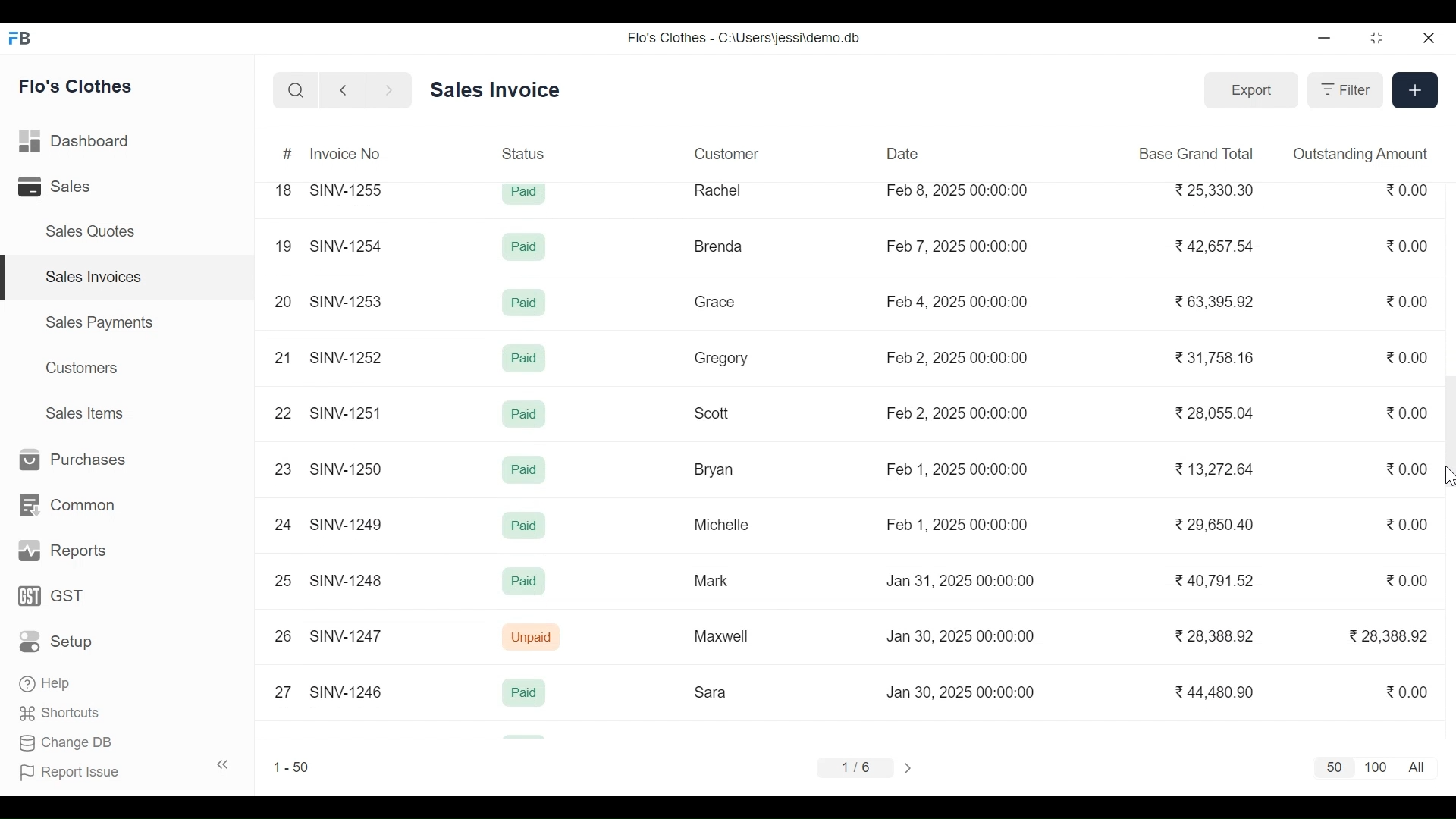 The height and width of the screenshot is (819, 1456). What do you see at coordinates (957, 246) in the screenshot?
I see `Feb 7, 2025 00:00:00` at bounding box center [957, 246].